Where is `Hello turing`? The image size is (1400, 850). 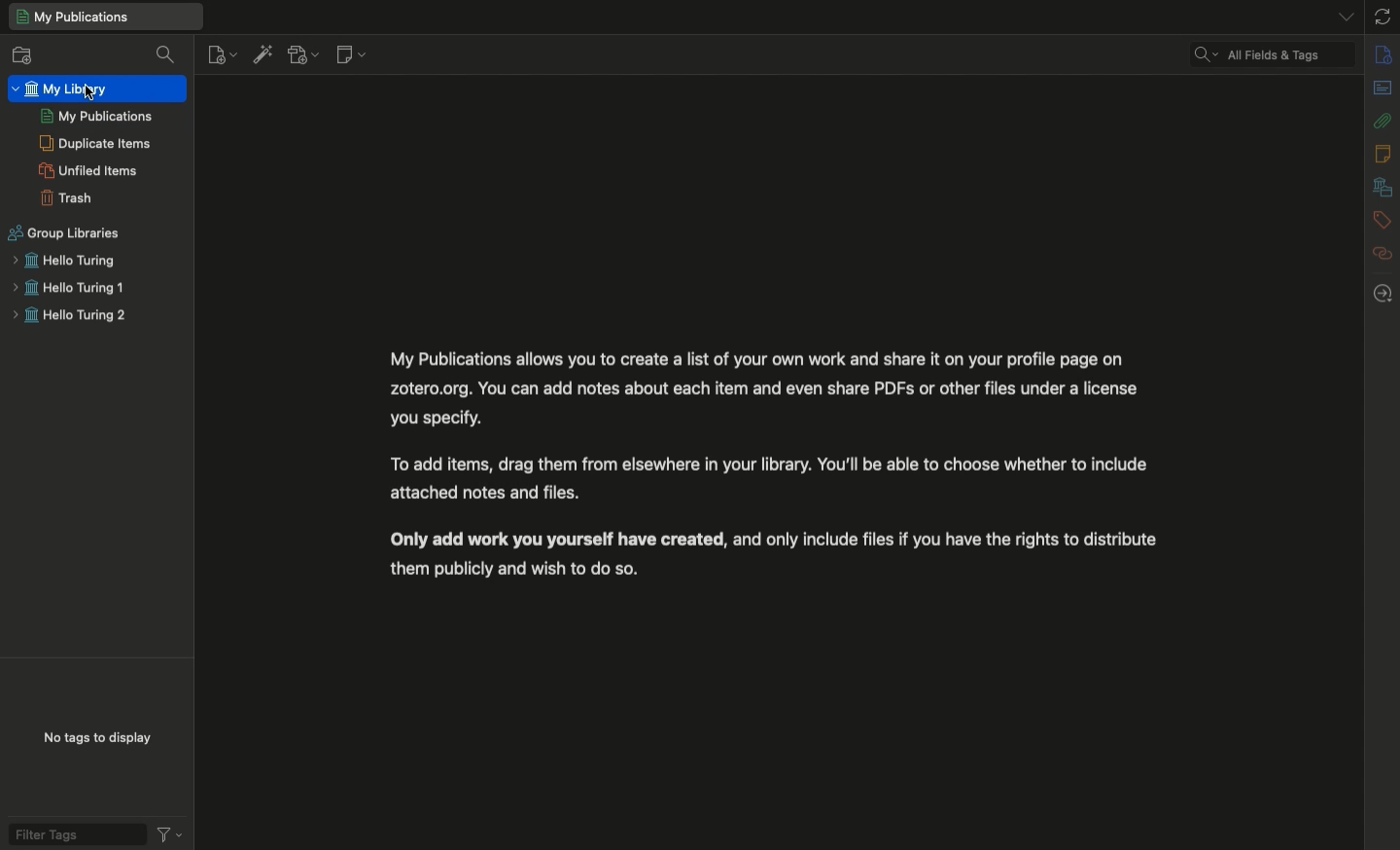 Hello turing is located at coordinates (66, 264).